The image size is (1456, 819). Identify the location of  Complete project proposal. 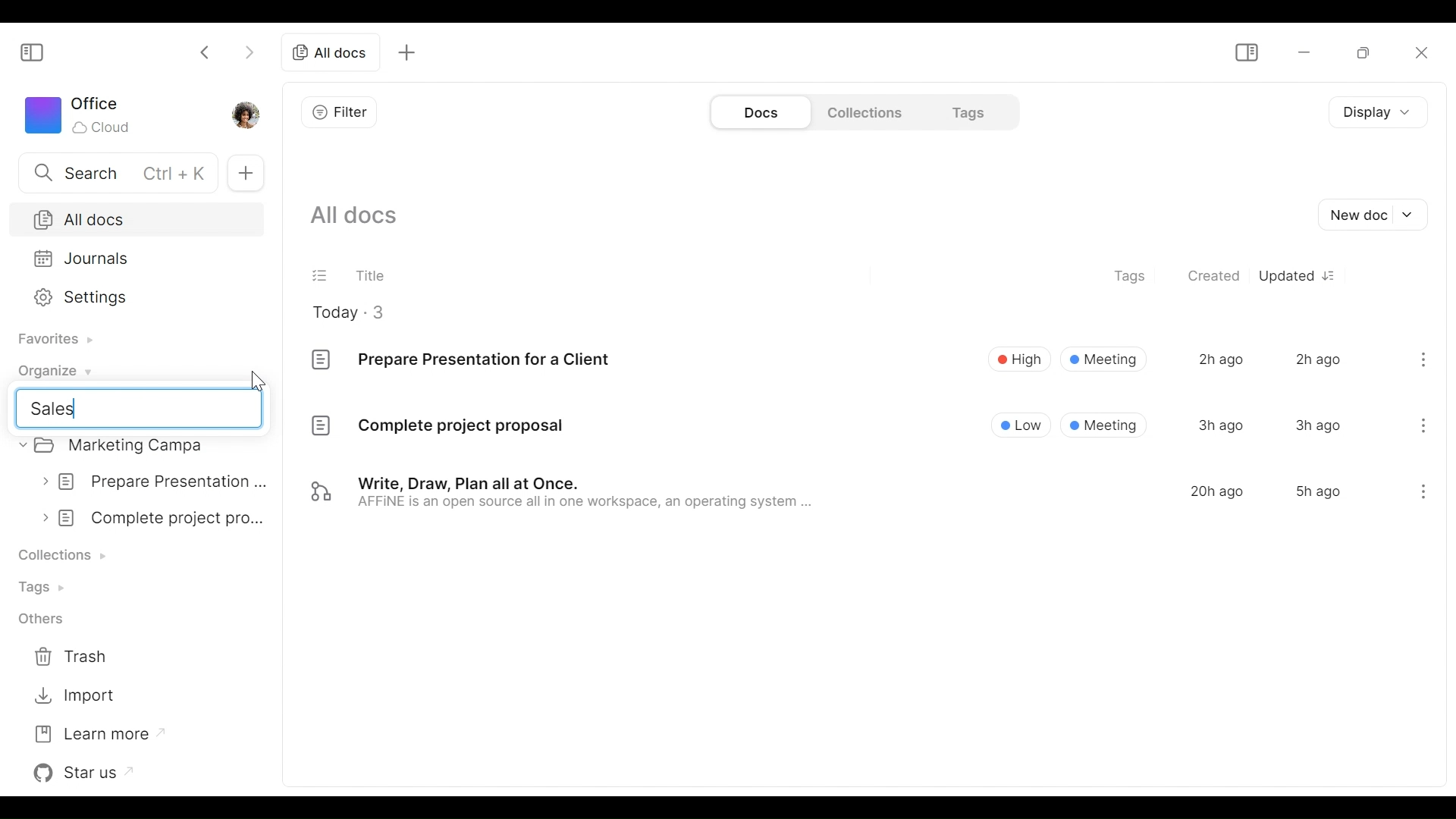
(437, 428).